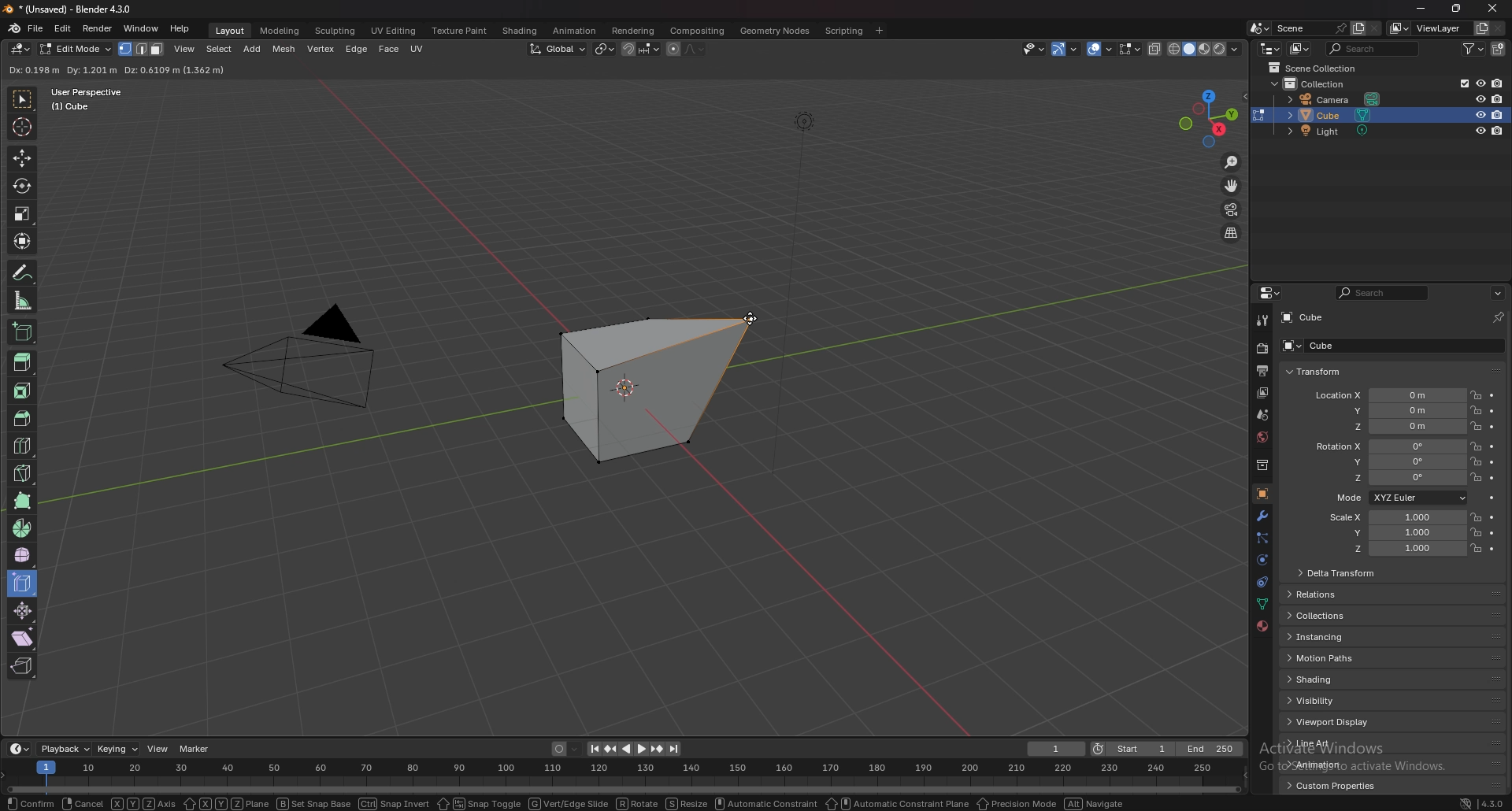 The image size is (1512, 811). I want to click on animate property, so click(1492, 549).